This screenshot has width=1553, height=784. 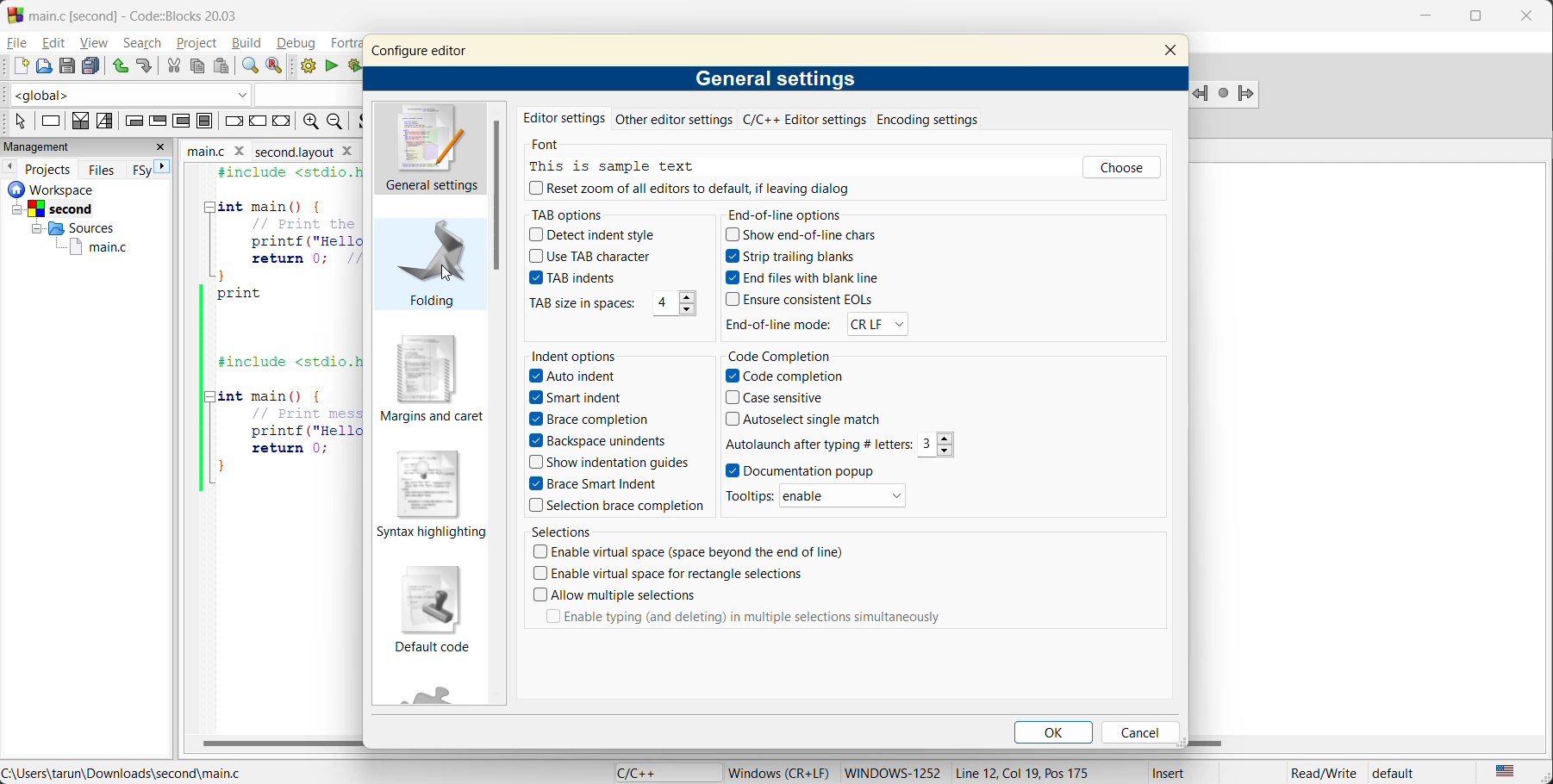 I want to click on Enable typing (and deleting) in multiple selections simultaneously, so click(x=744, y=619).